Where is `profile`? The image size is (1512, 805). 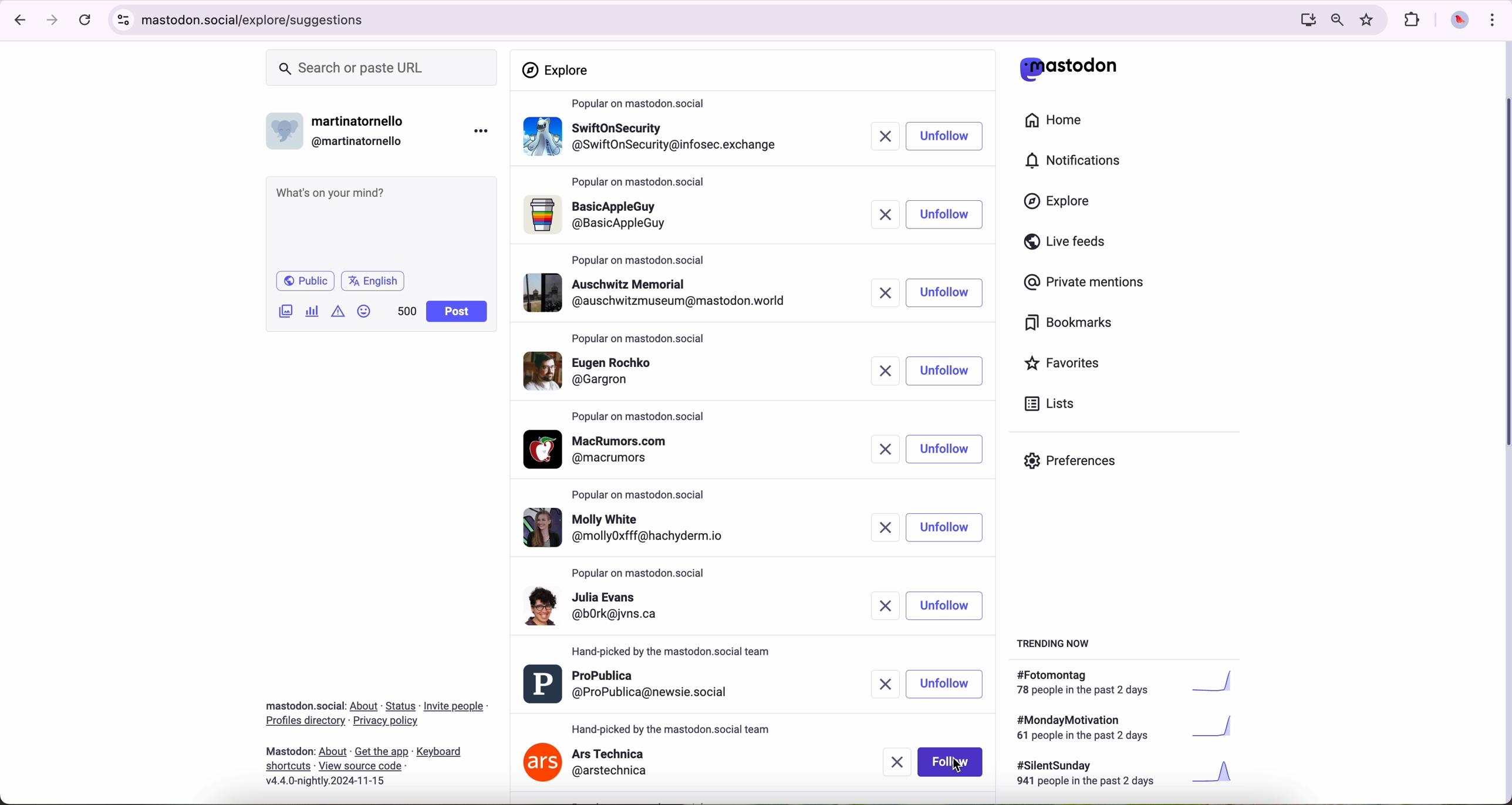
profile is located at coordinates (626, 527).